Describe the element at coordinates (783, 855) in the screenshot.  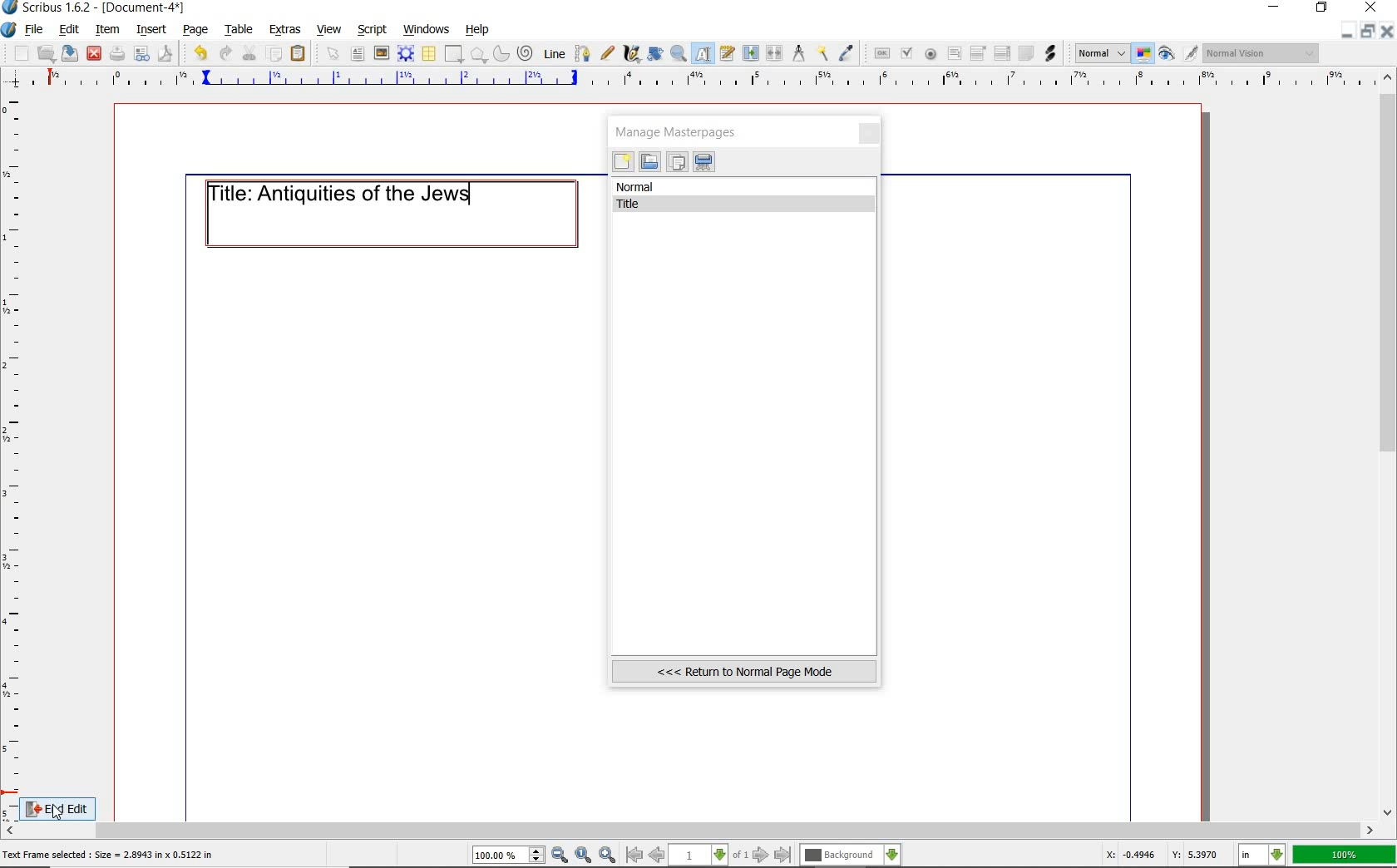
I see `go to last page` at that location.